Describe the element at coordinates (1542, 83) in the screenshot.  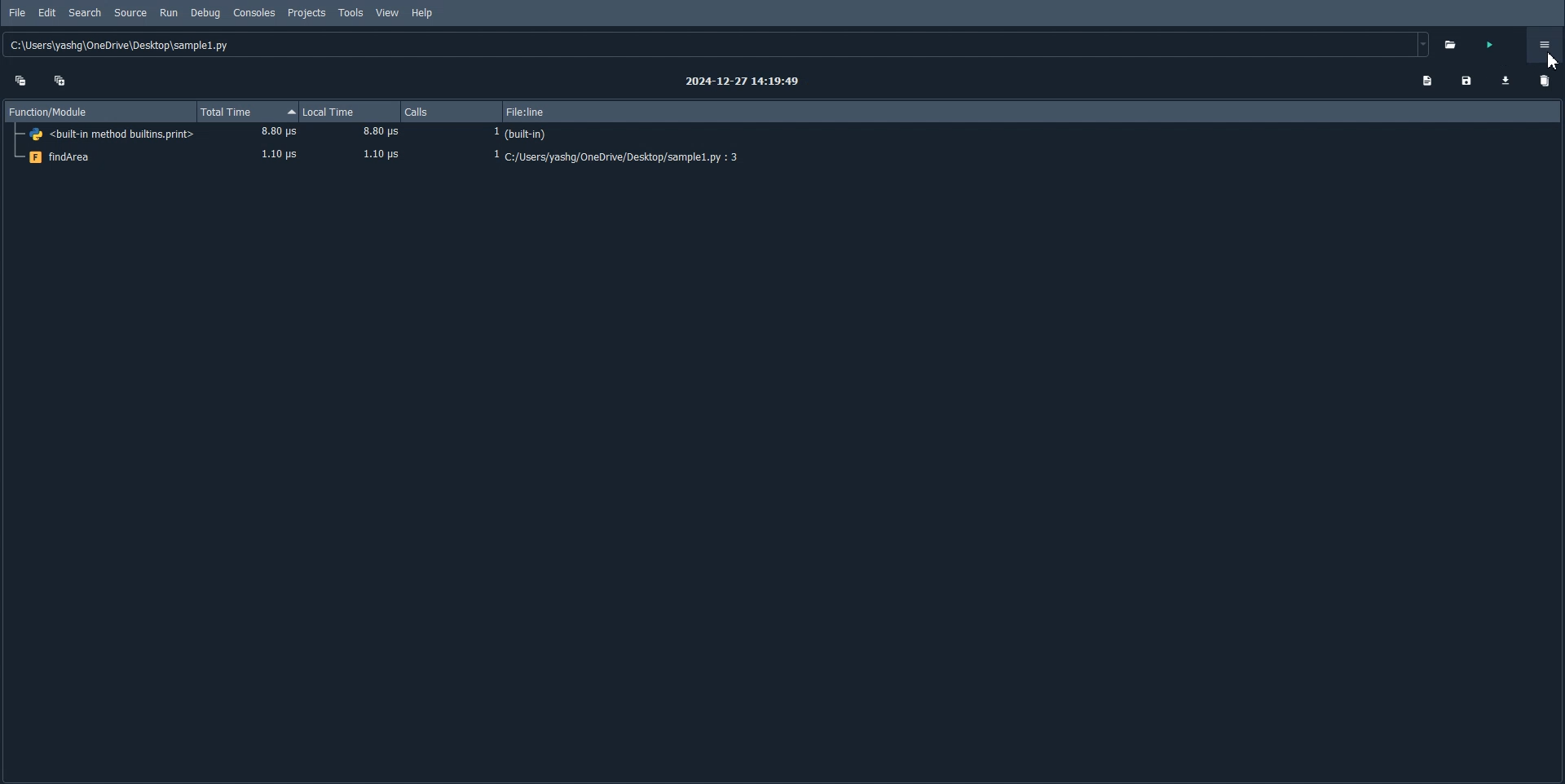
I see `Clear comparison` at that location.